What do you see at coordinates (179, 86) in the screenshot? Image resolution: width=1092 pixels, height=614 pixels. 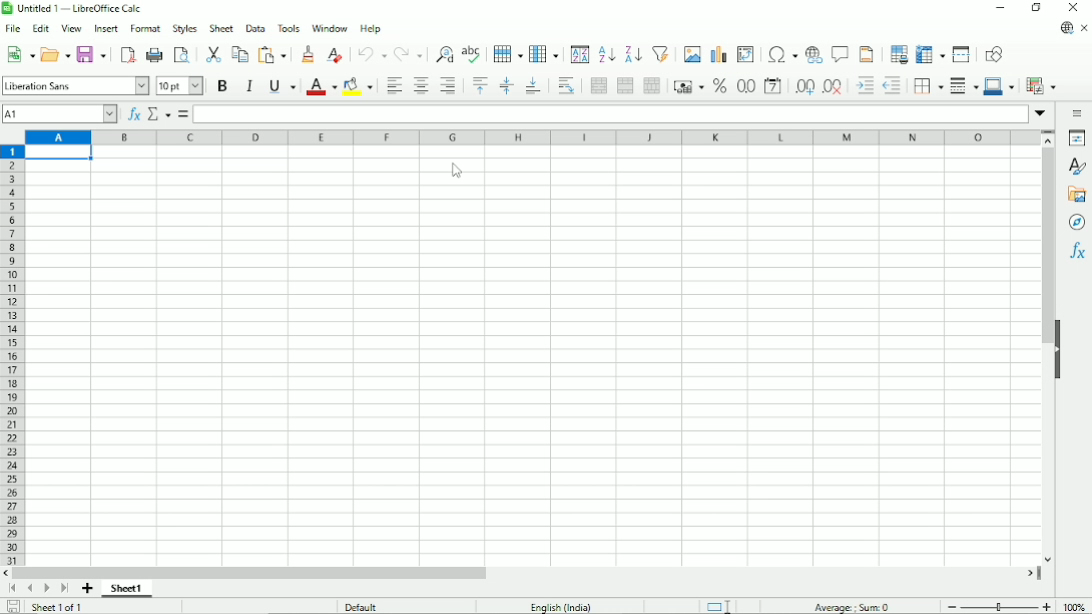 I see `Font size` at bounding box center [179, 86].